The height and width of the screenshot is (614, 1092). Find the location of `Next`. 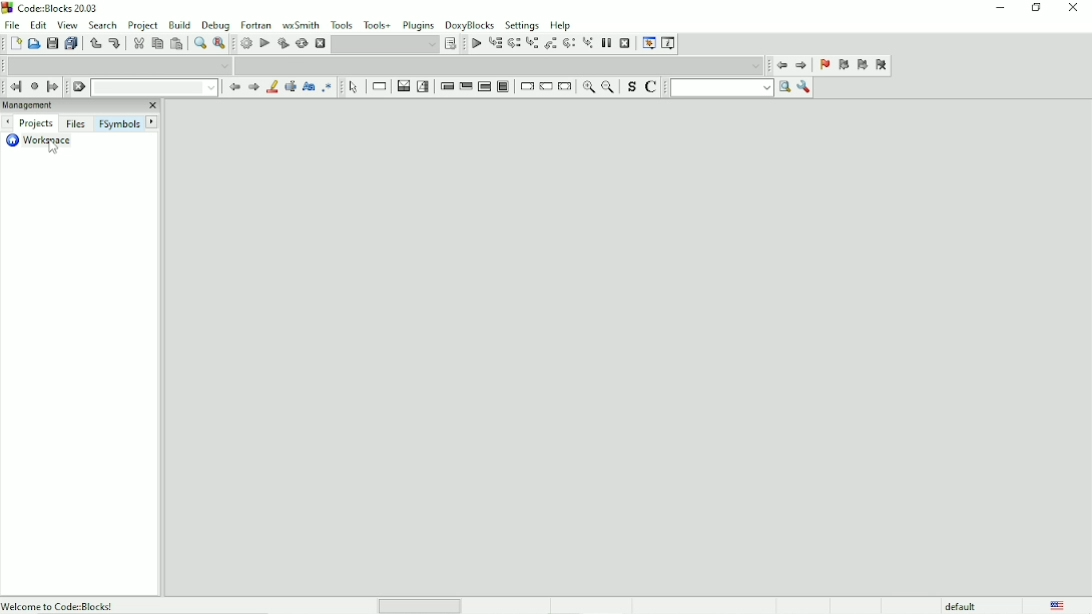

Next is located at coordinates (152, 122).